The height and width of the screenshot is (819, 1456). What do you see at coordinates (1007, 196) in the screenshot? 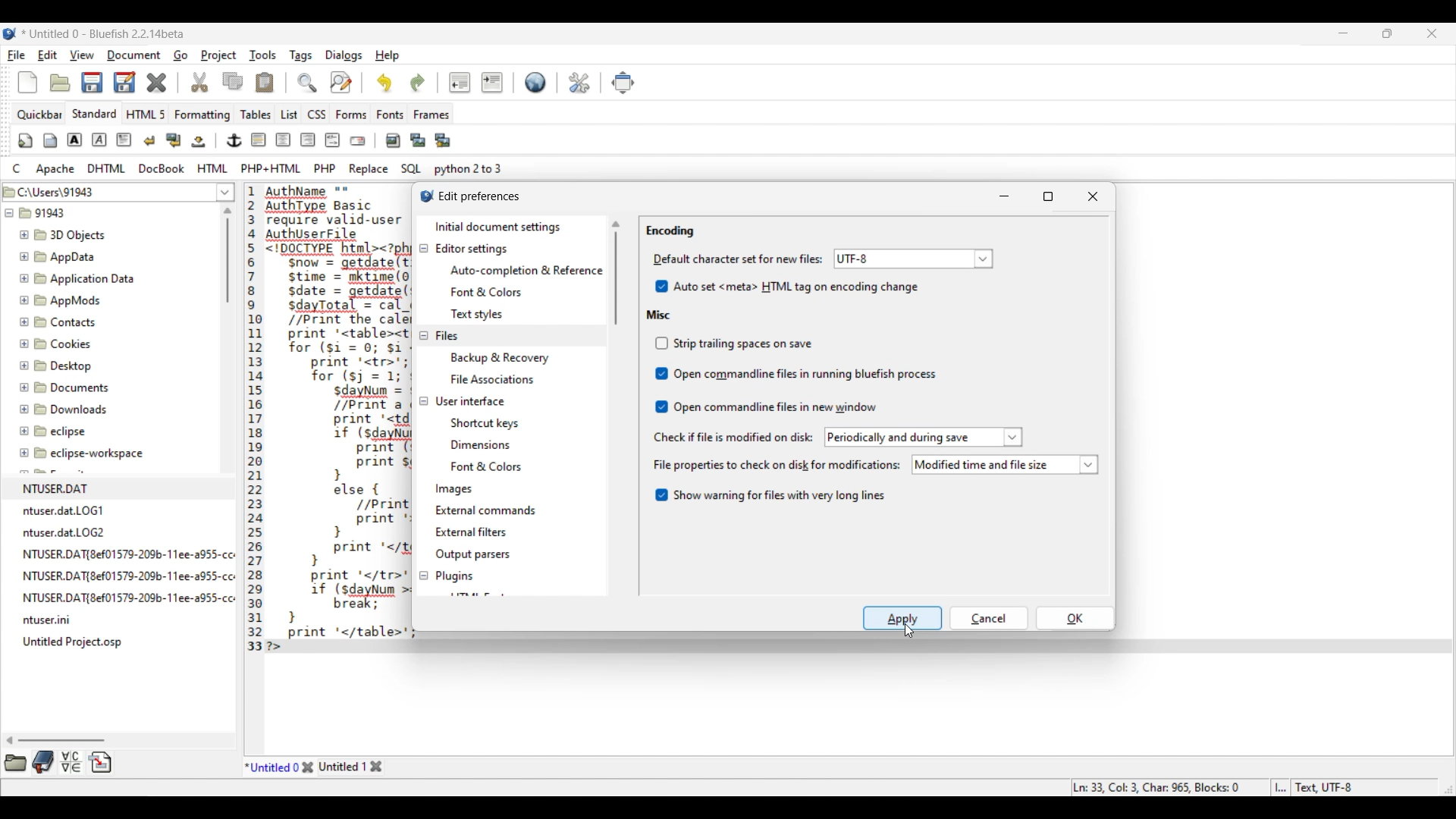
I see `Minimize` at bounding box center [1007, 196].